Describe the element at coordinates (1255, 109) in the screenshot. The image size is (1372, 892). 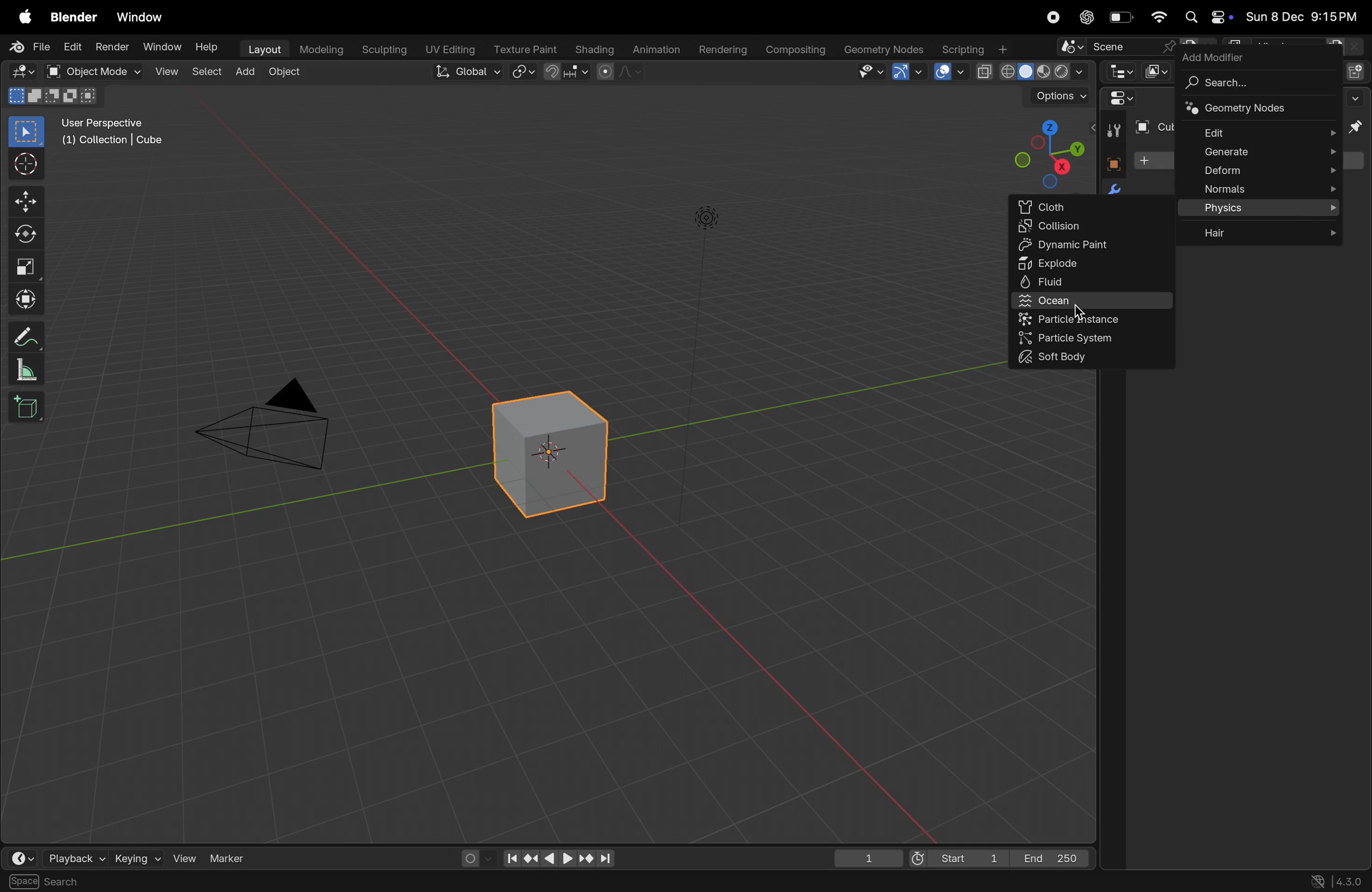
I see `Geometry modes` at that location.